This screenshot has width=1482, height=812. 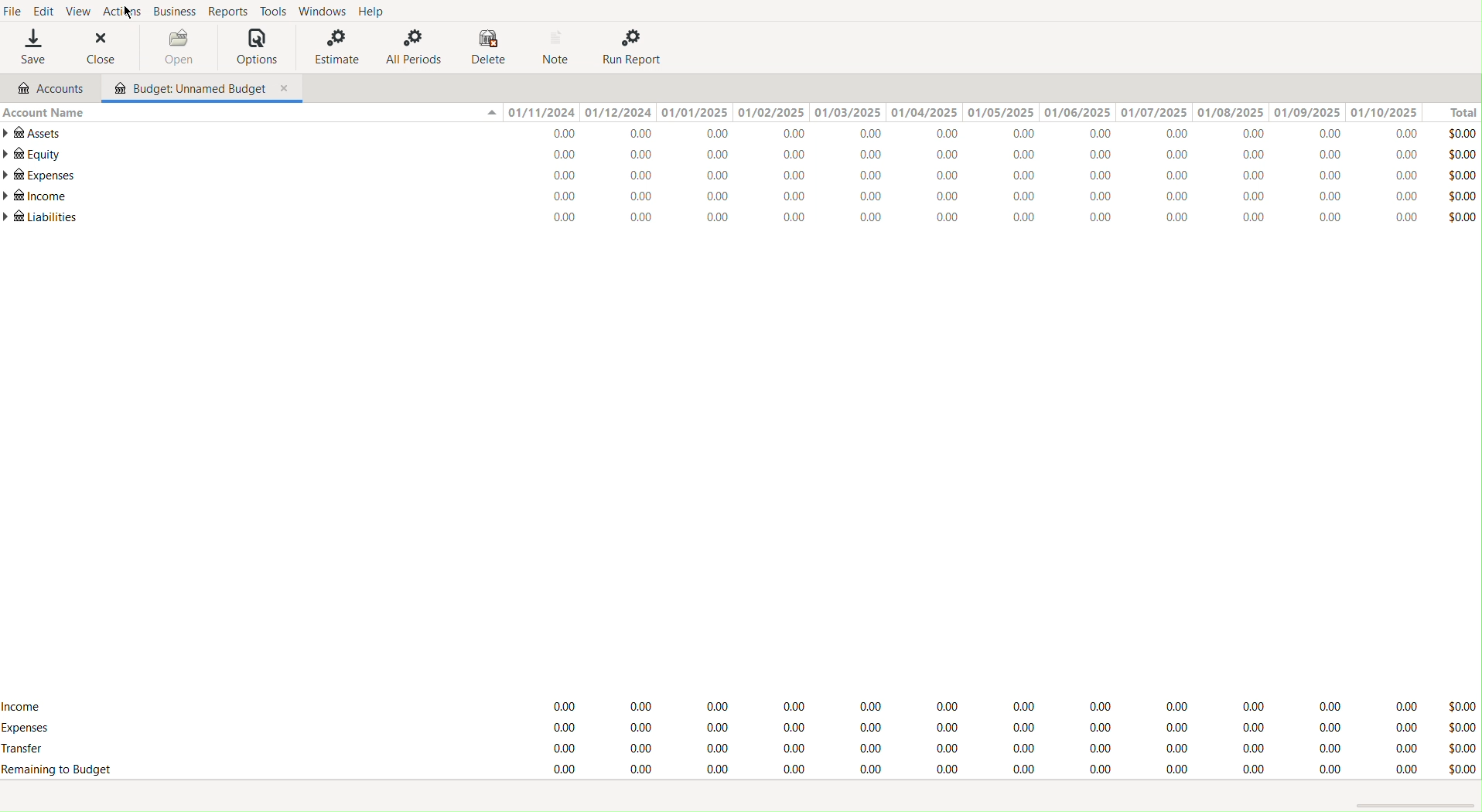 What do you see at coordinates (25, 704) in the screenshot?
I see `Income` at bounding box center [25, 704].